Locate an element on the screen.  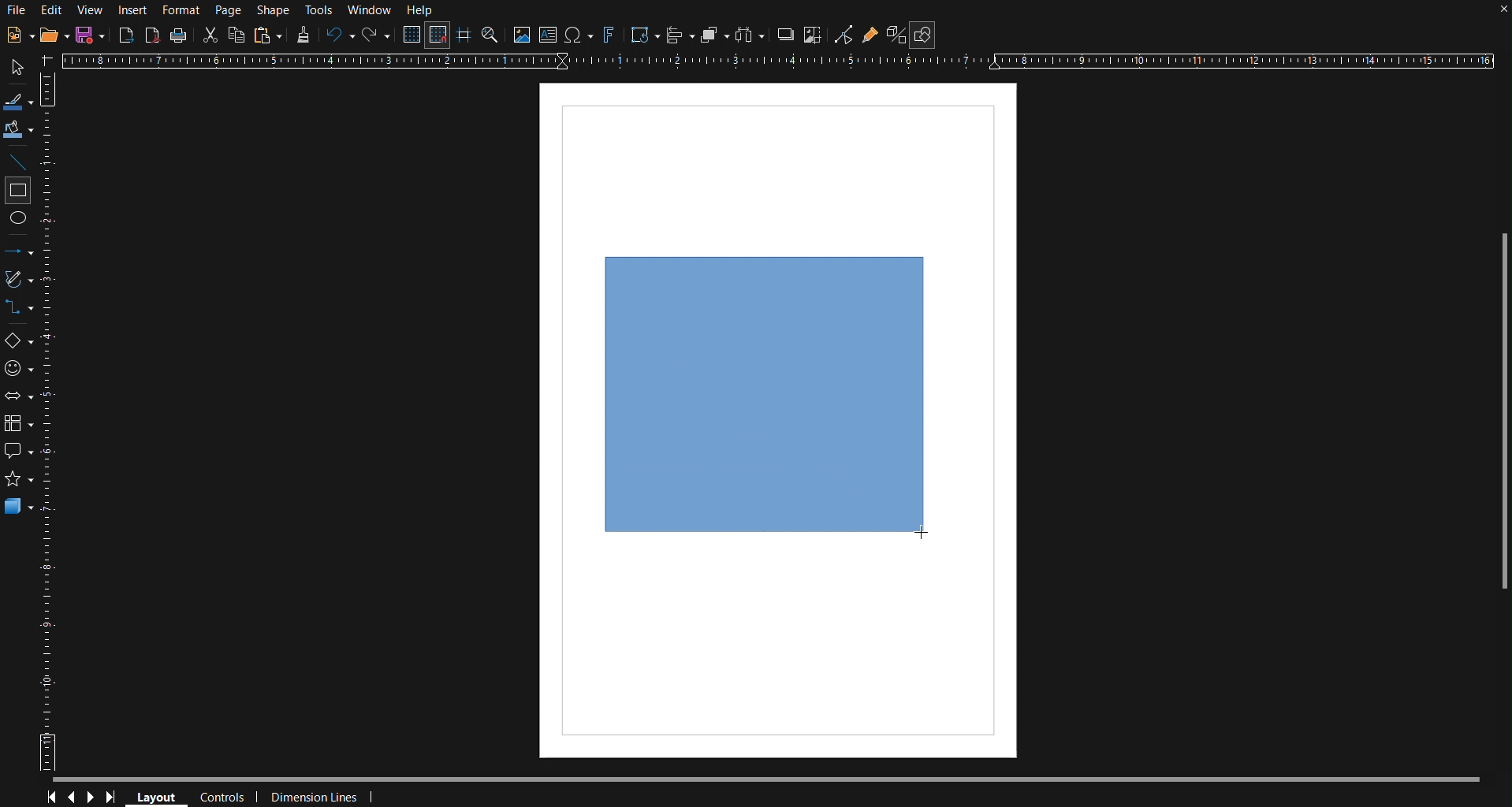
Fill Color is located at coordinates (19, 130).